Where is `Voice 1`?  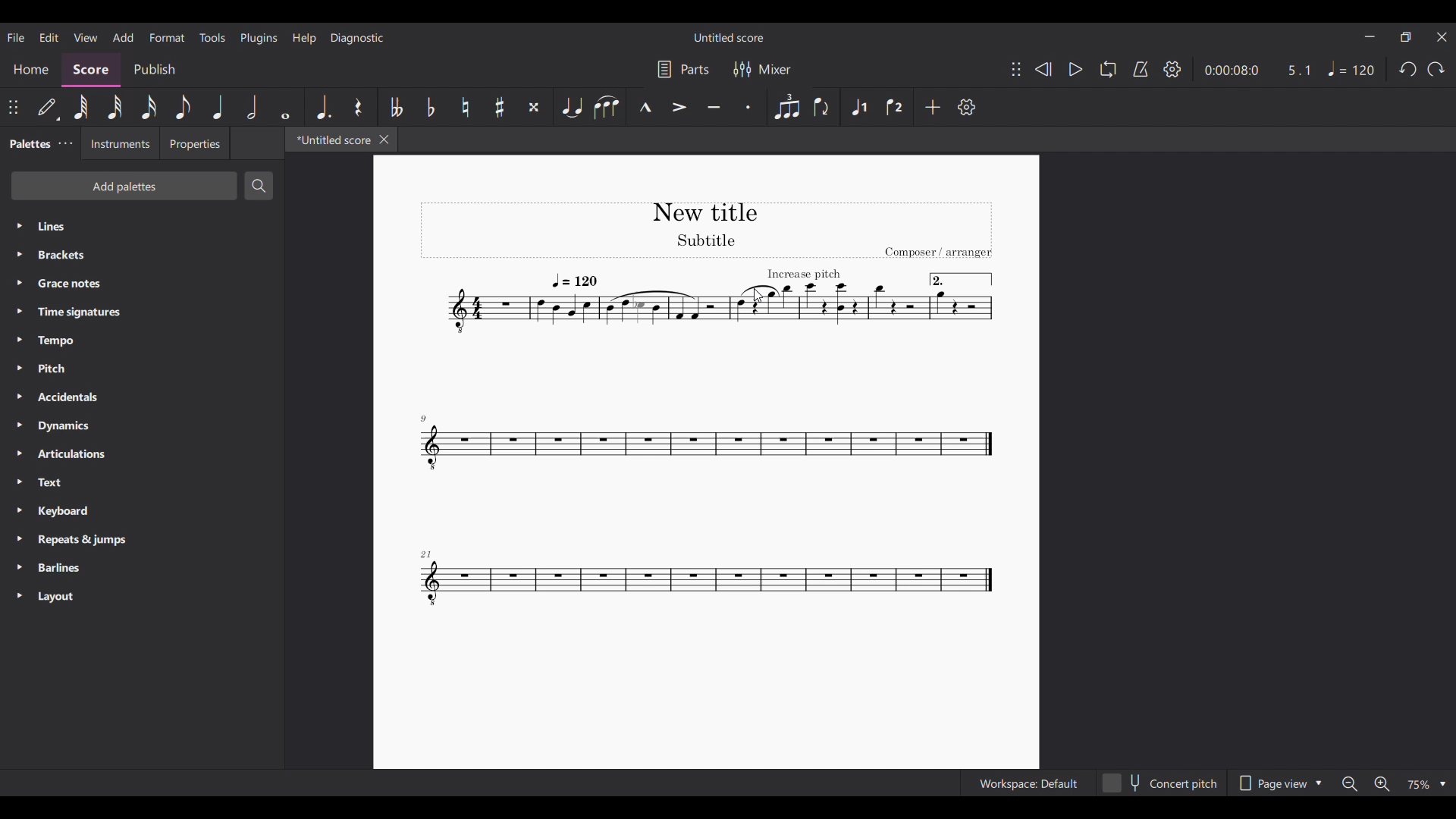 Voice 1 is located at coordinates (858, 107).